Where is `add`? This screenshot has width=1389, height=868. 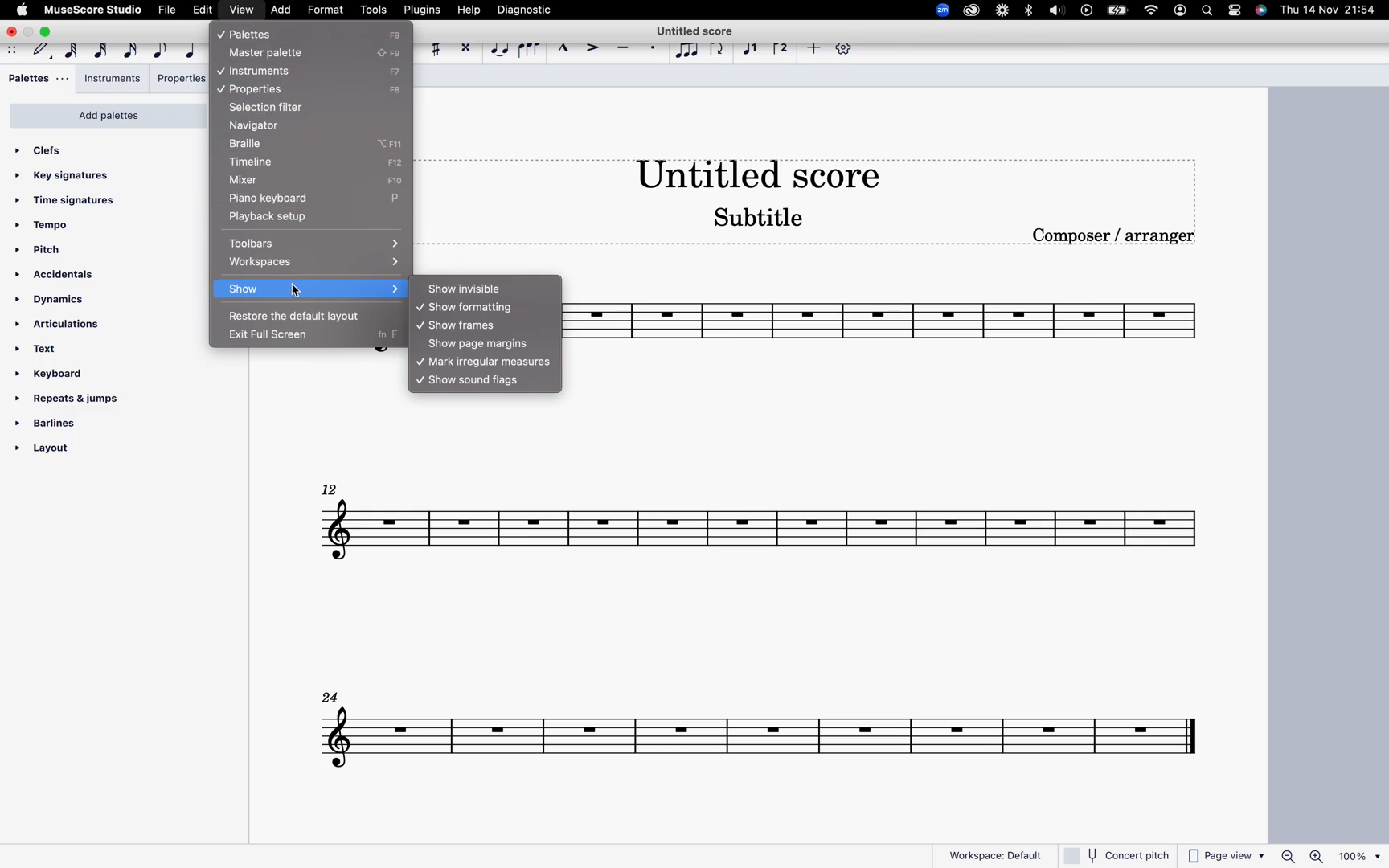 add is located at coordinates (281, 10).